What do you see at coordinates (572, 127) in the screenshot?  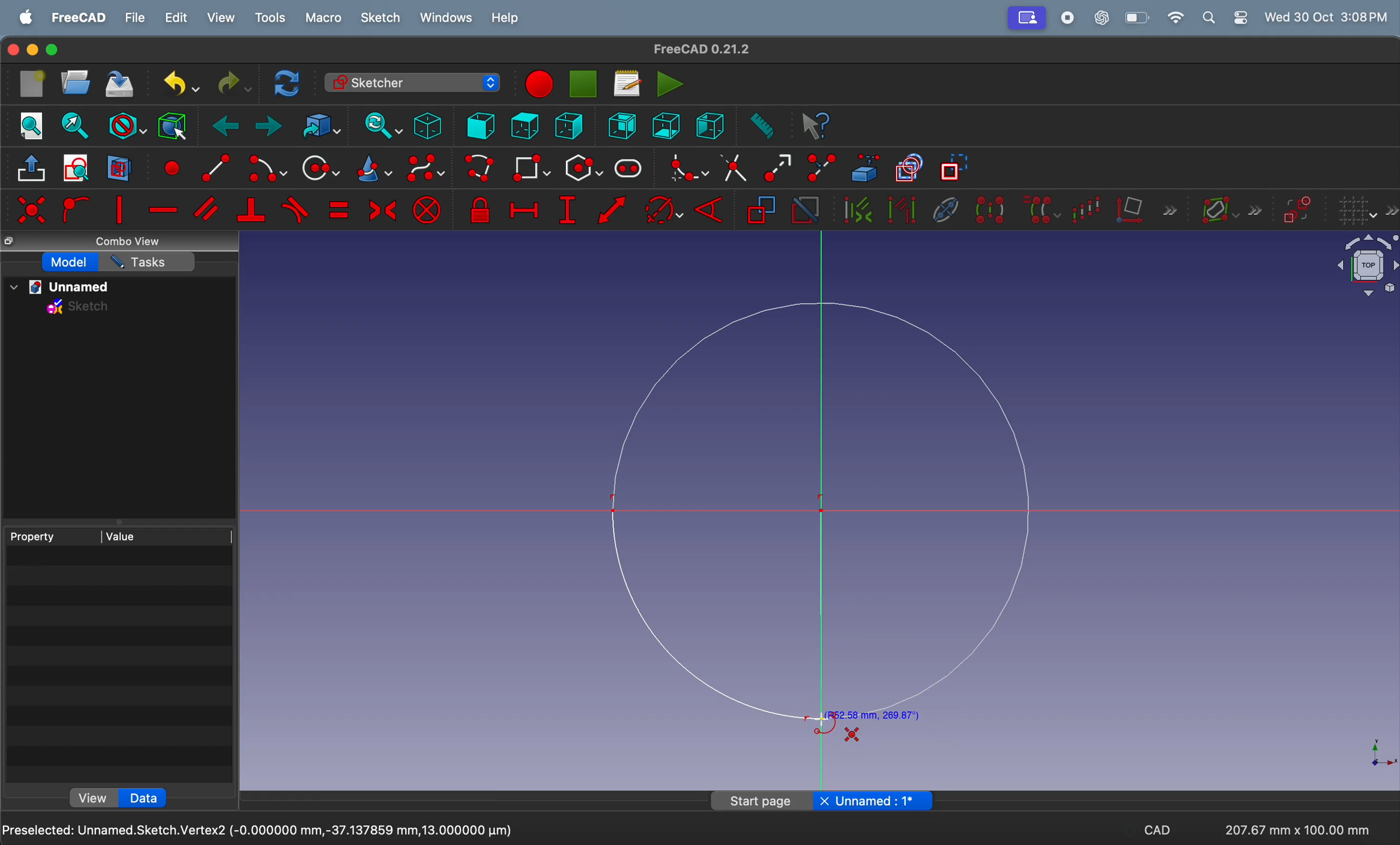 I see `left view` at bounding box center [572, 127].